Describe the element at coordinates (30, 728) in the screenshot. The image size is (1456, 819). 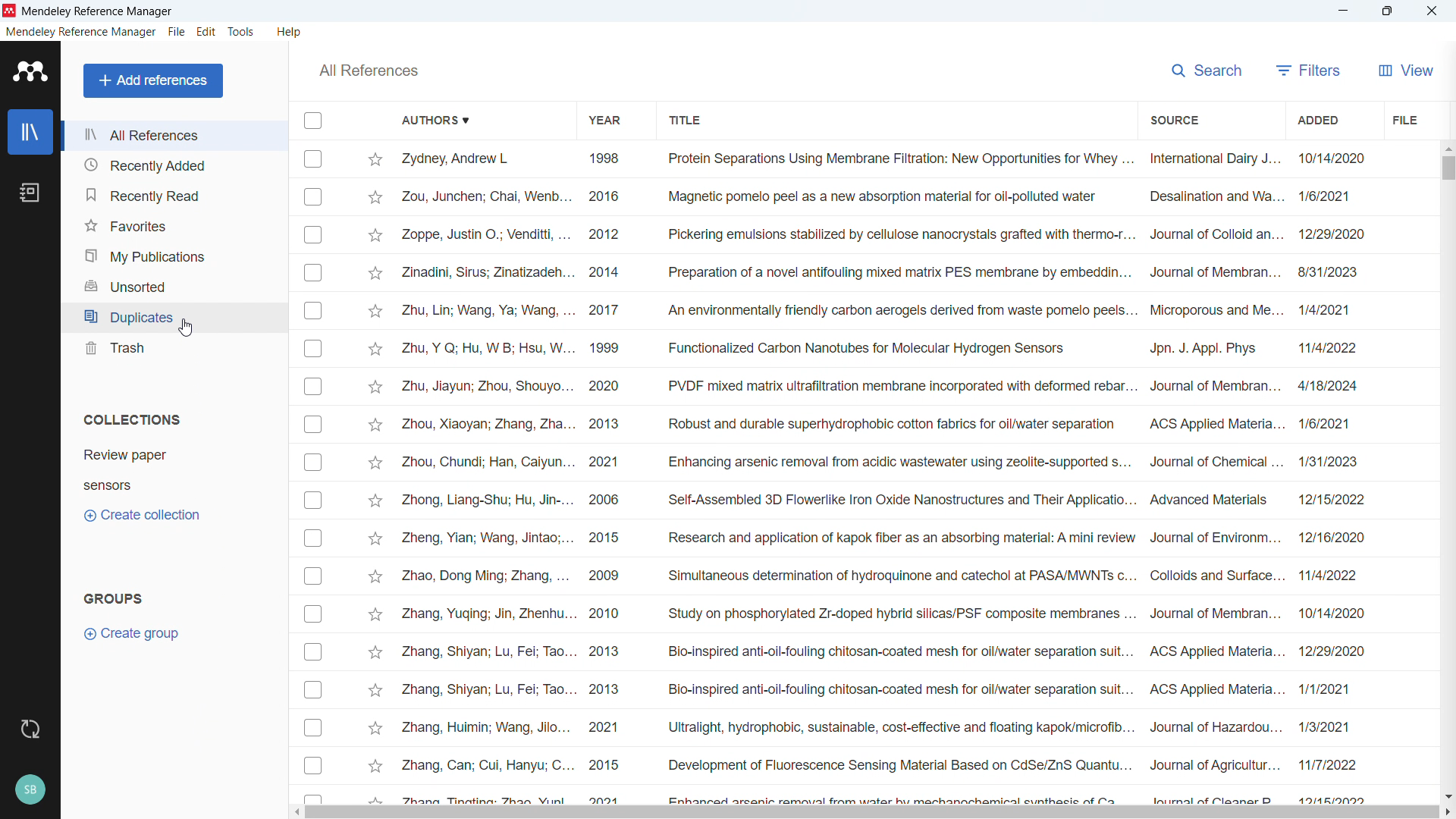
I see `sync` at that location.